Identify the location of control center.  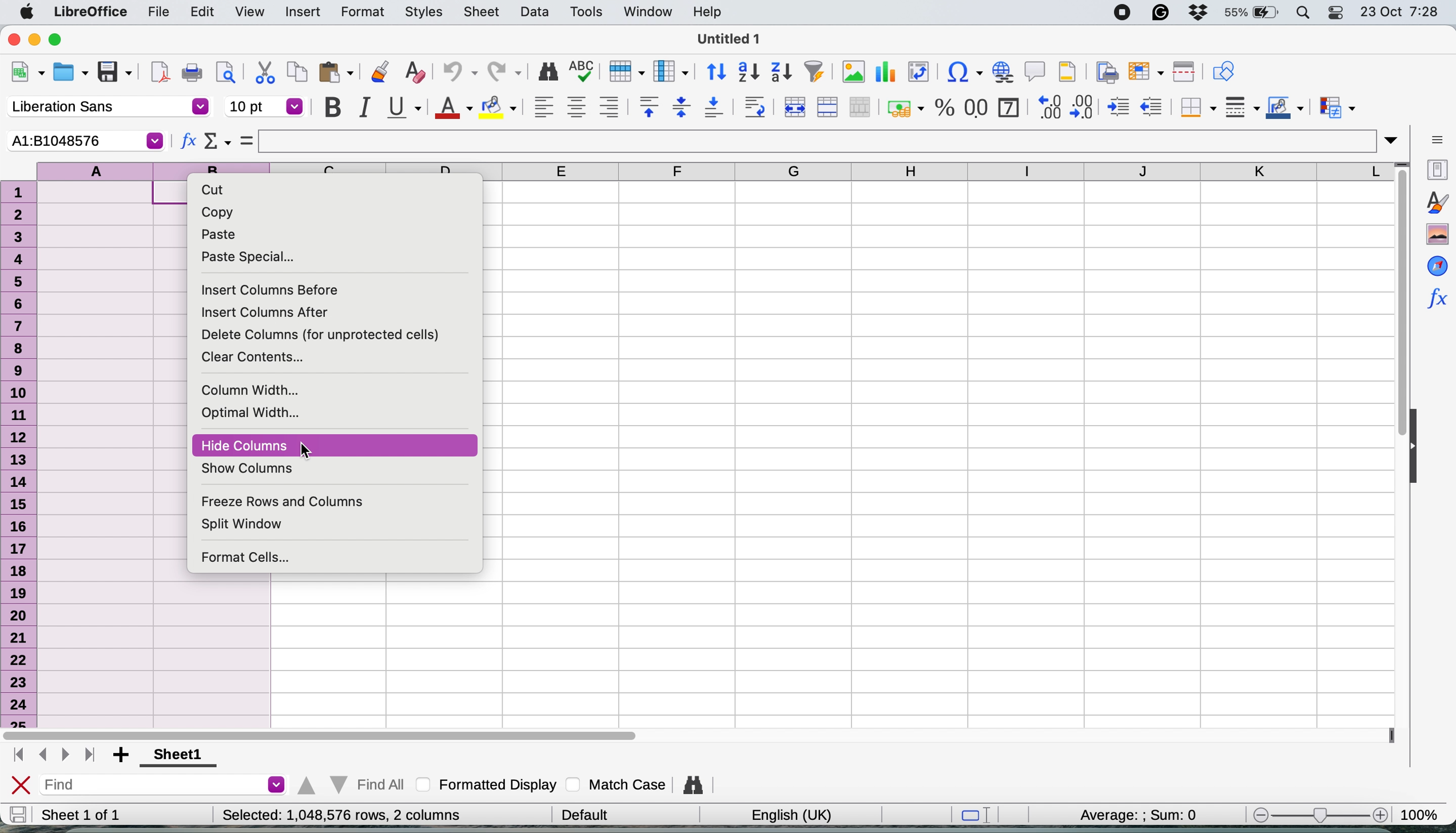
(1334, 12).